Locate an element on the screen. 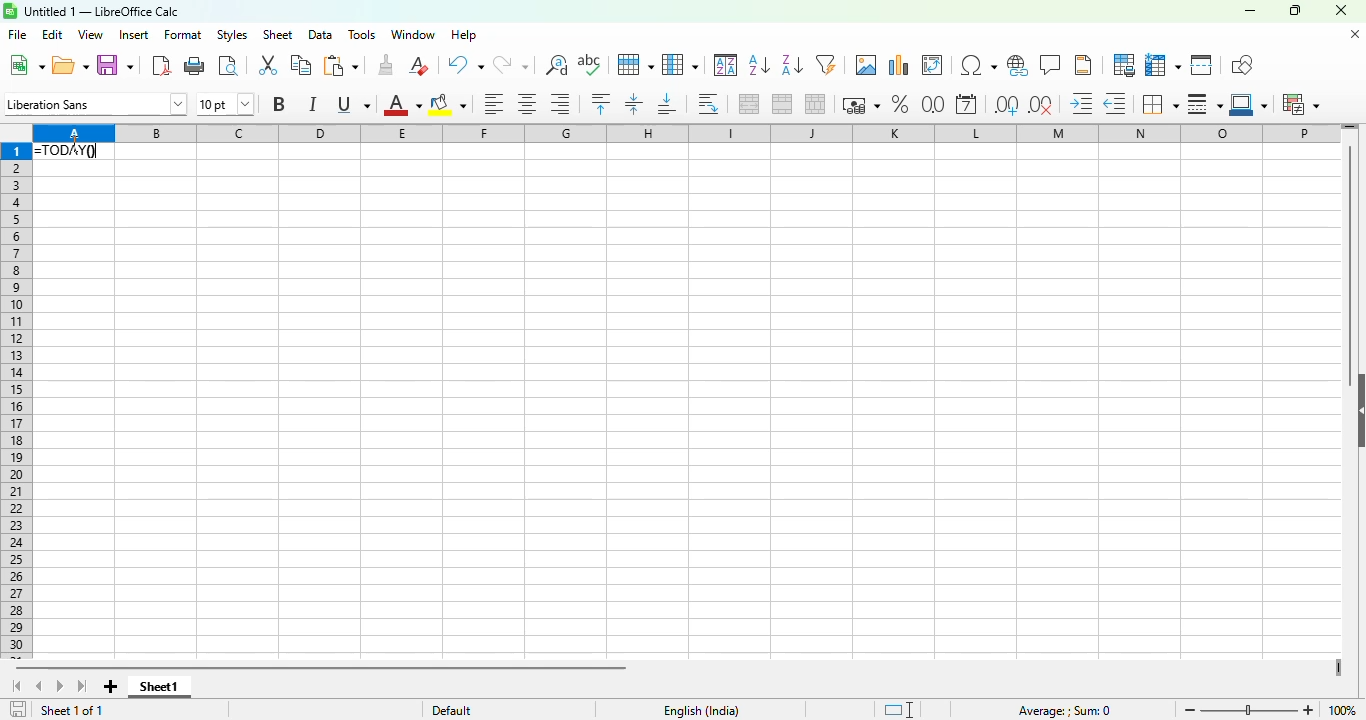  tools is located at coordinates (361, 35).